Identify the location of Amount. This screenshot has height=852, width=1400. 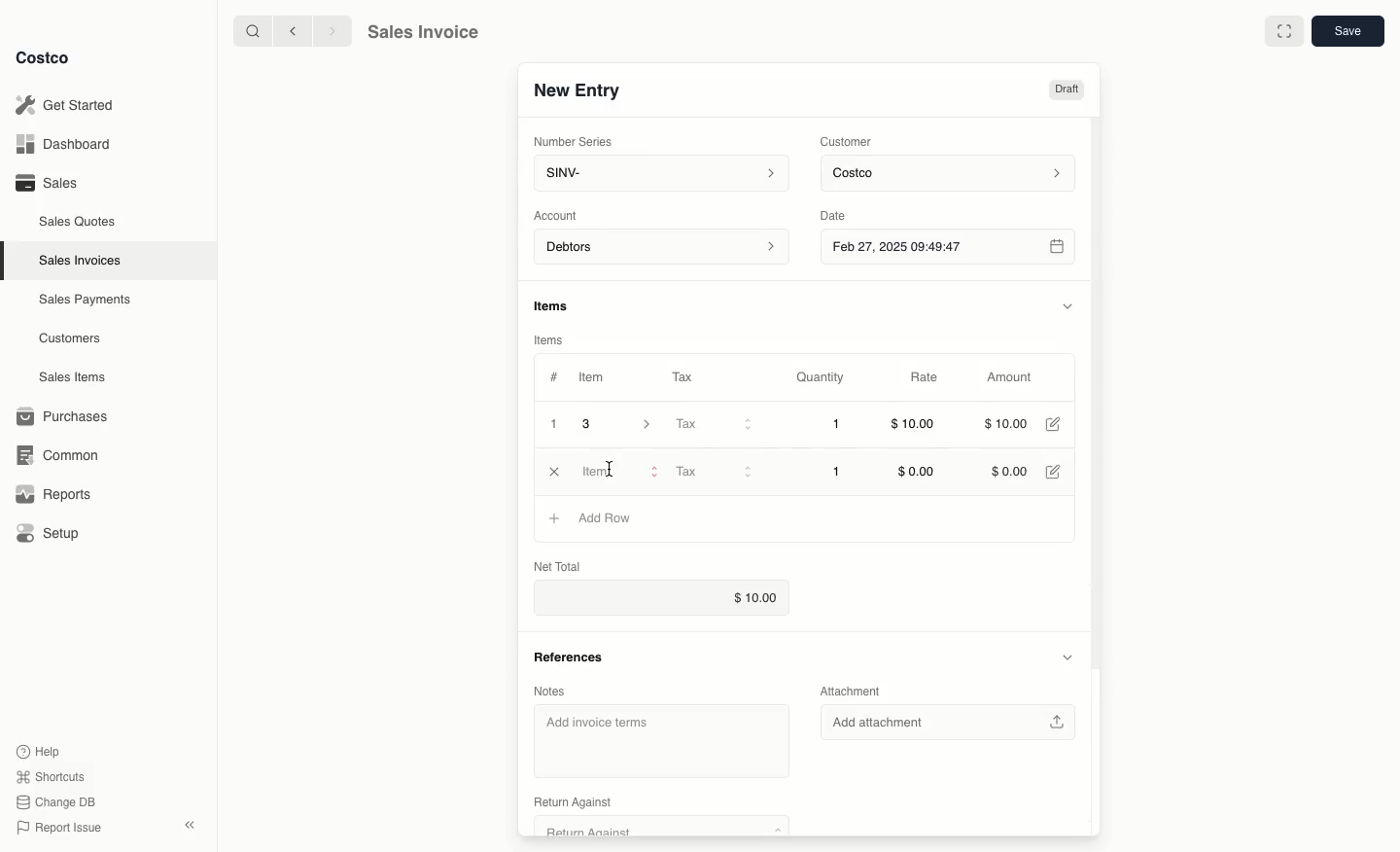
(1007, 378).